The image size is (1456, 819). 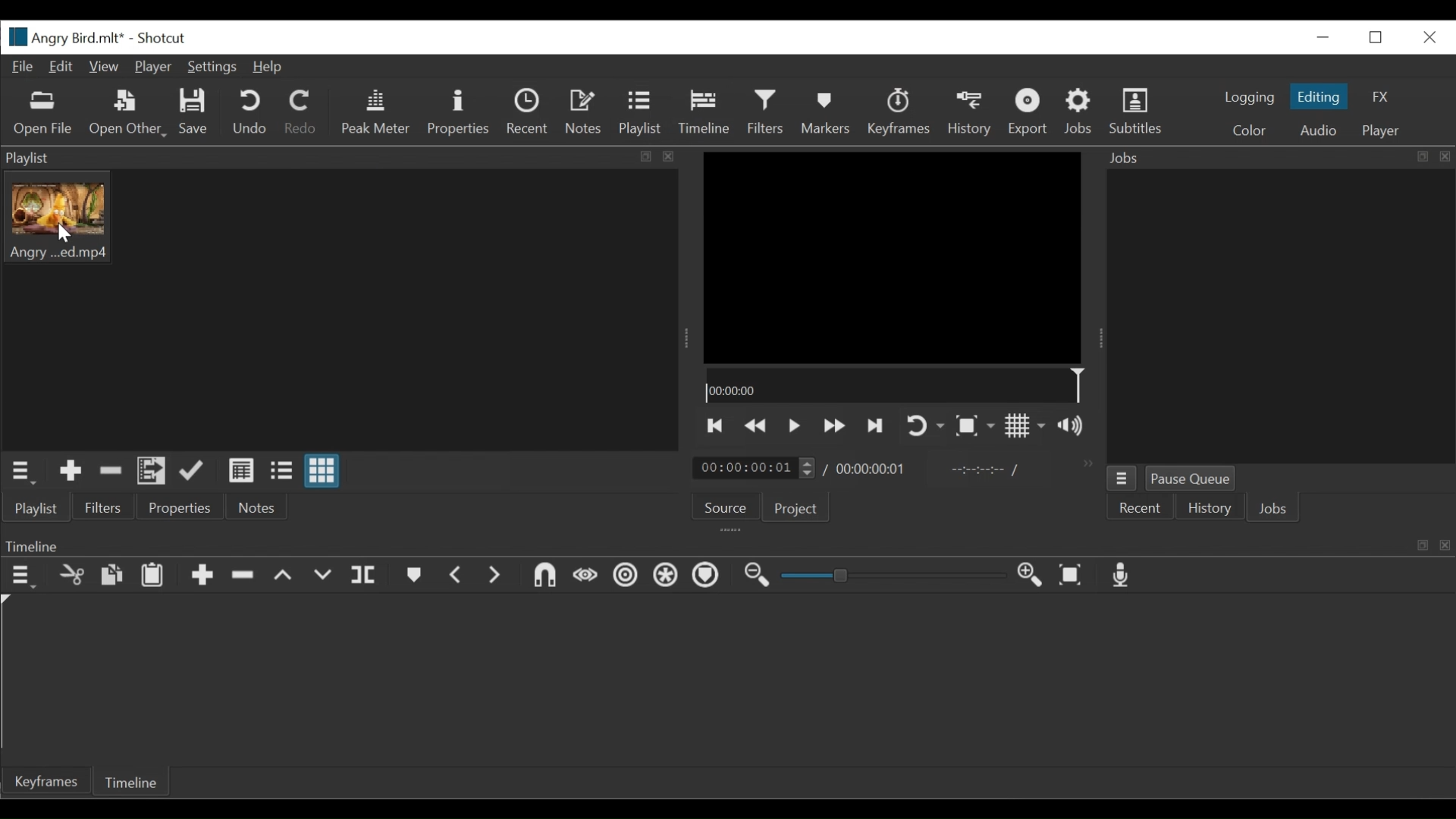 What do you see at coordinates (529, 112) in the screenshot?
I see `Recent` at bounding box center [529, 112].